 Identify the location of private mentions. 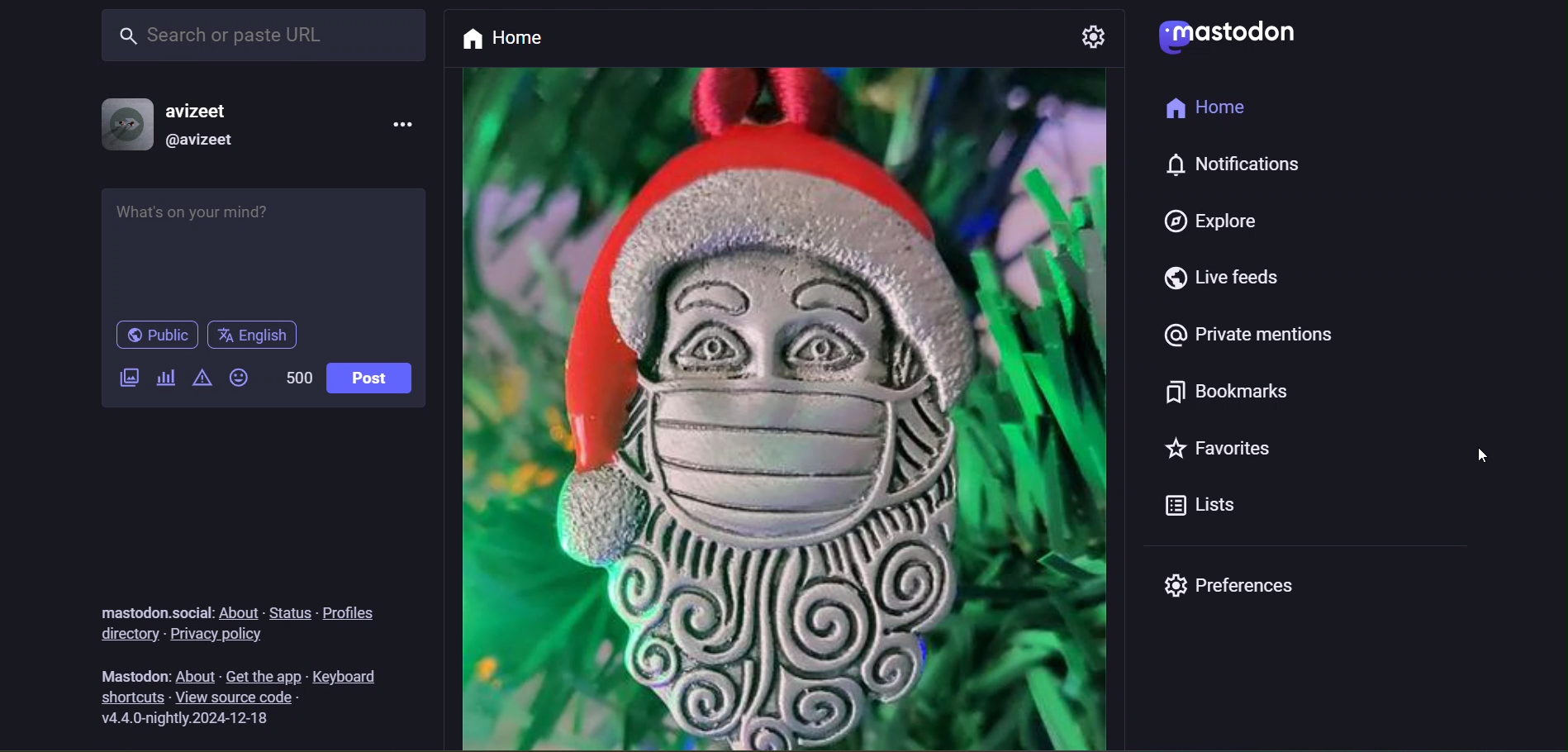
(1246, 337).